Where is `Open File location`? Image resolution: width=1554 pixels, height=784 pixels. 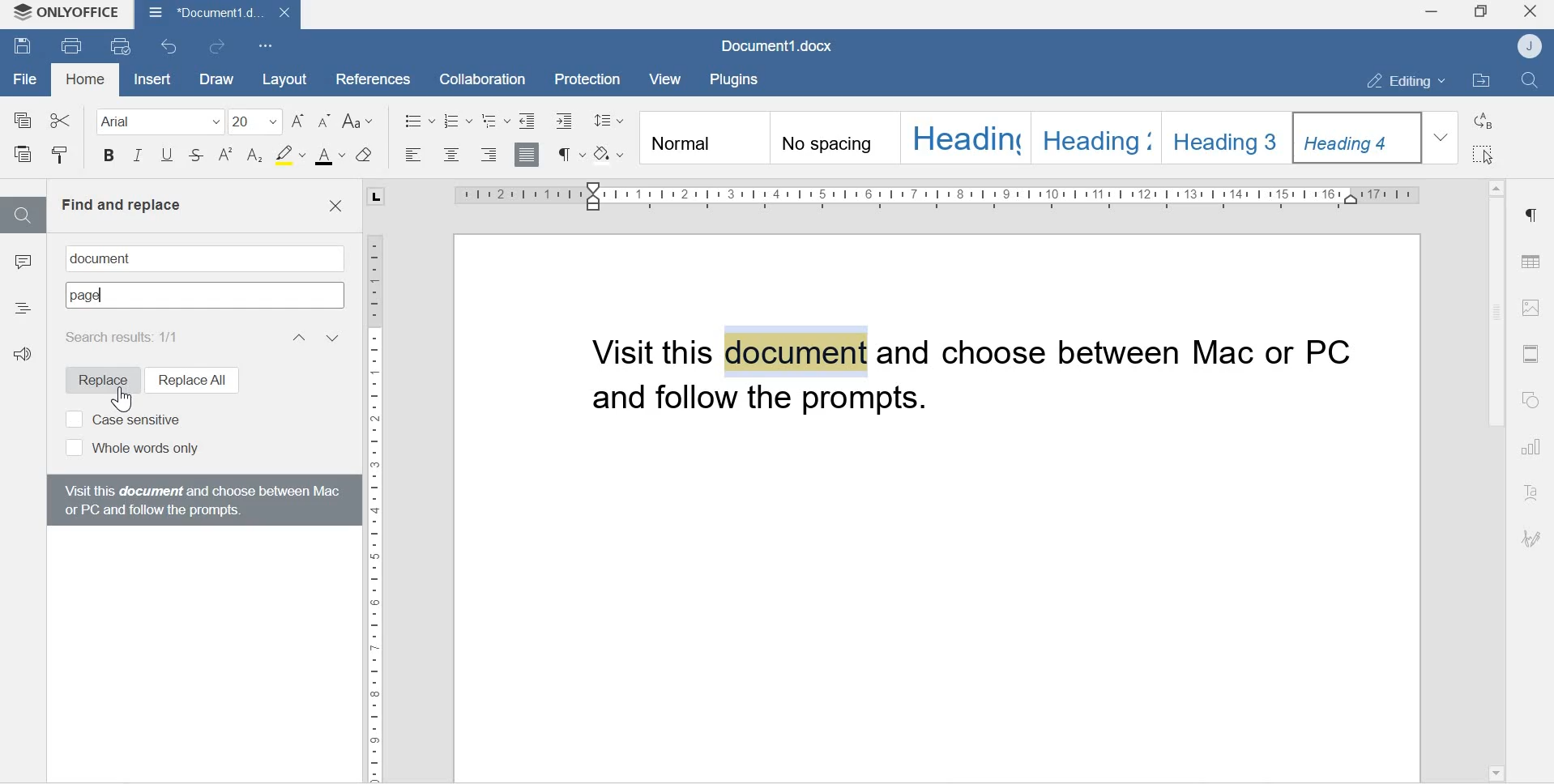
Open File location is located at coordinates (1481, 82).